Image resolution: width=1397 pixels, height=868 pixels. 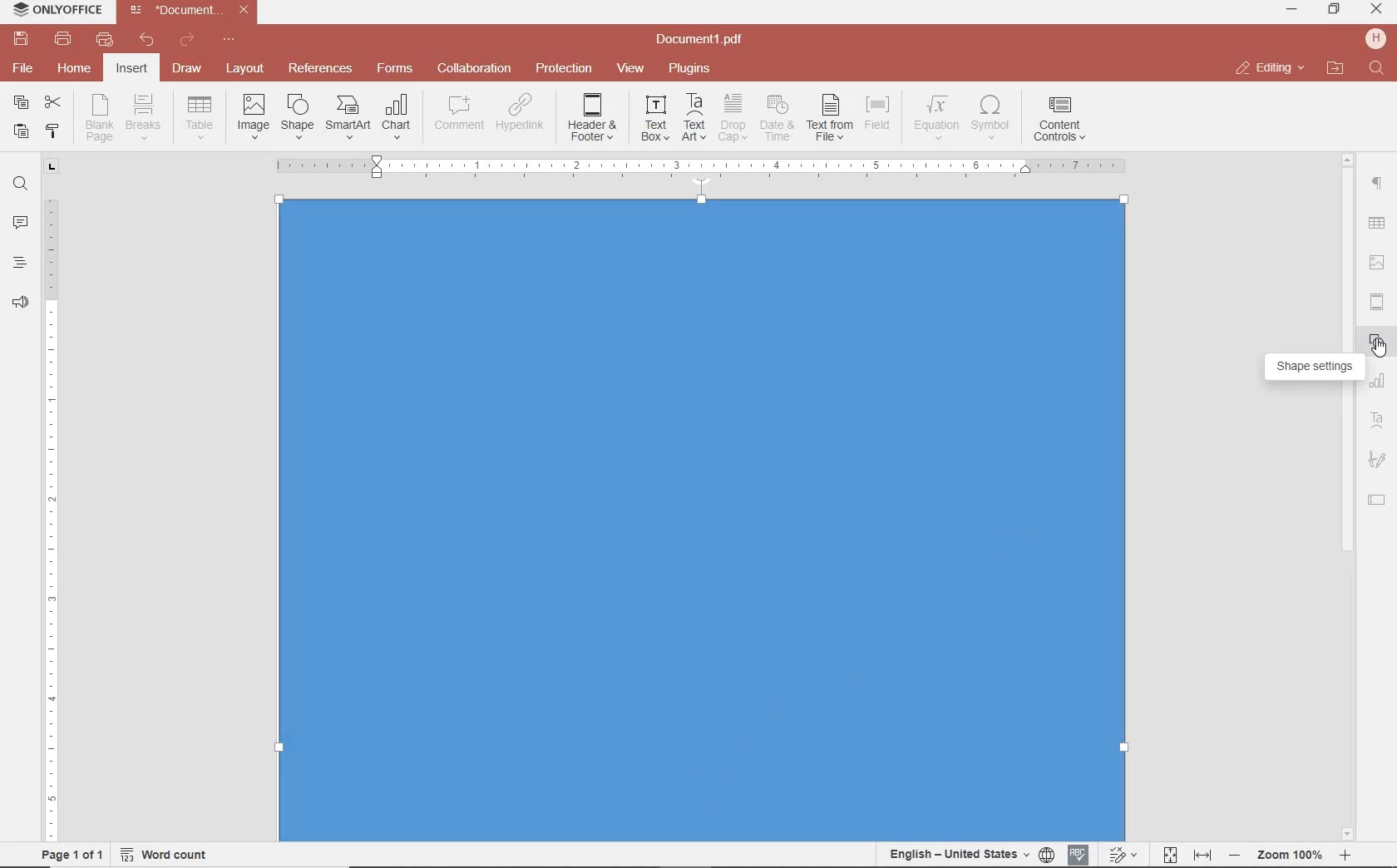 I want to click on close, so click(x=1269, y=68).